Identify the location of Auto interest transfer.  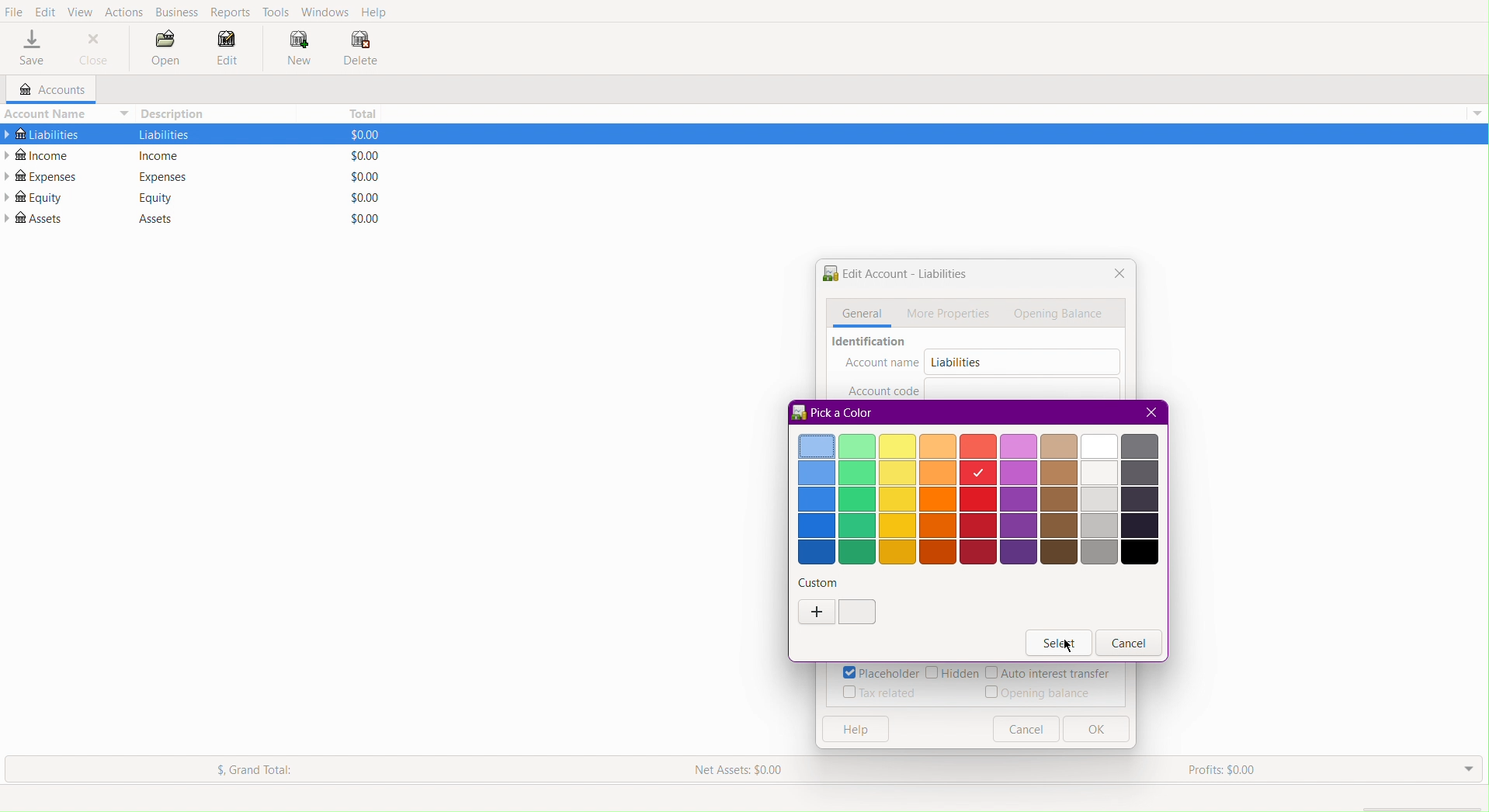
(1049, 674).